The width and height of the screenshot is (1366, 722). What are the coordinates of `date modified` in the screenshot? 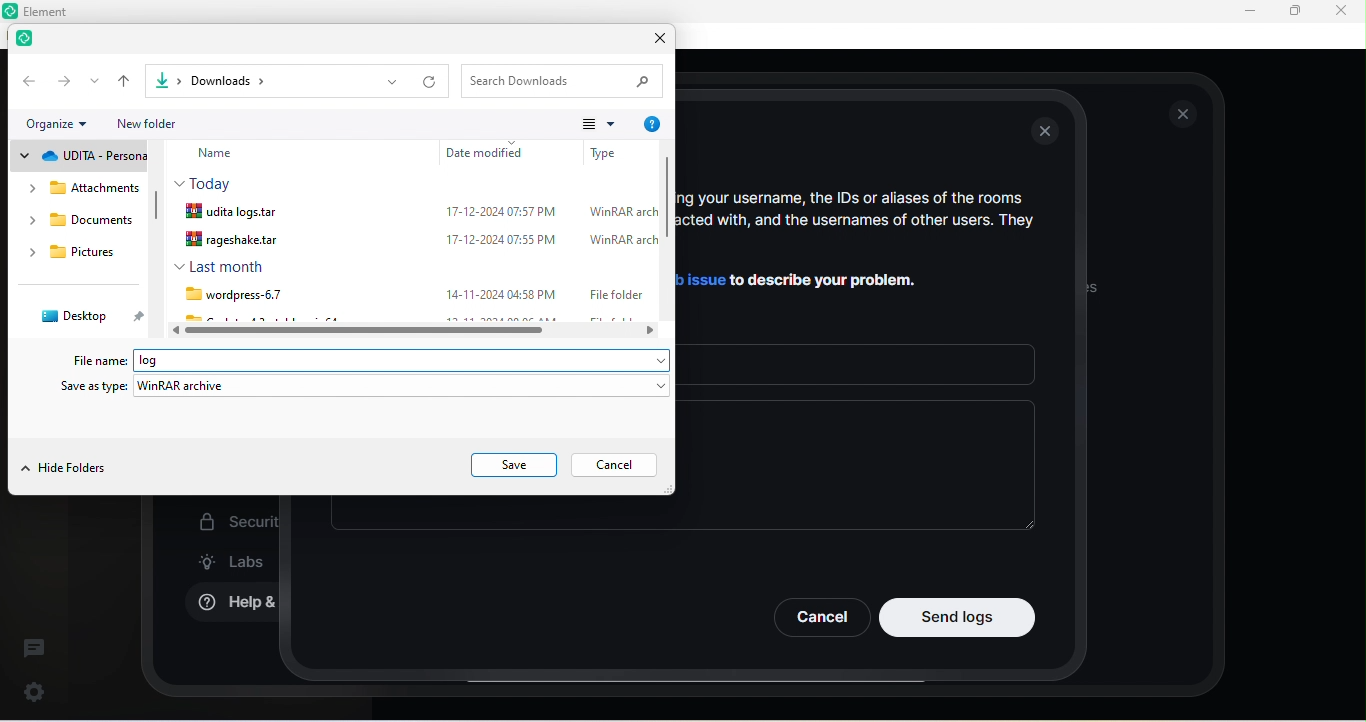 It's located at (490, 152).